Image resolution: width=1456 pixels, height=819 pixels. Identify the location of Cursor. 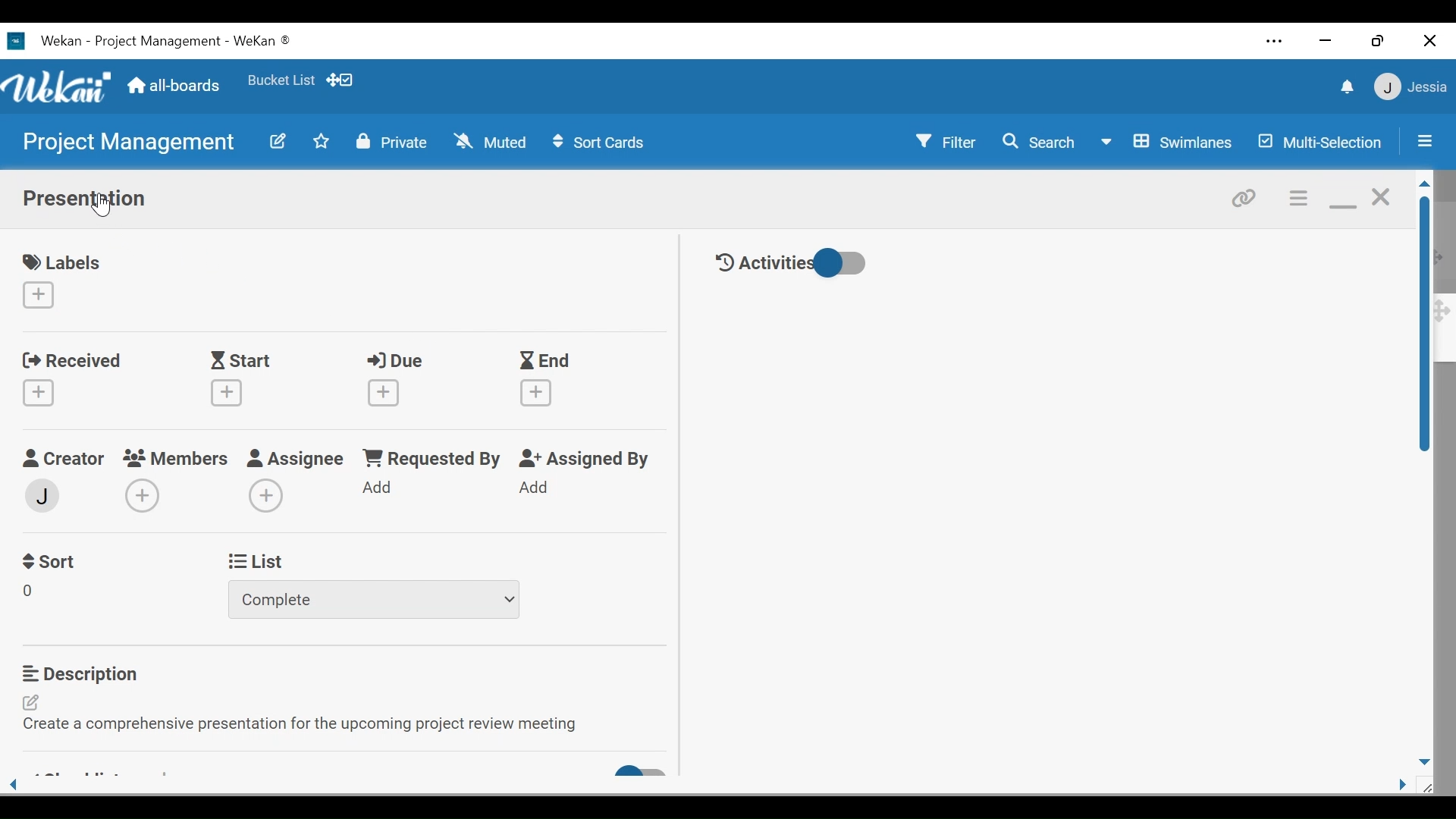
(103, 206).